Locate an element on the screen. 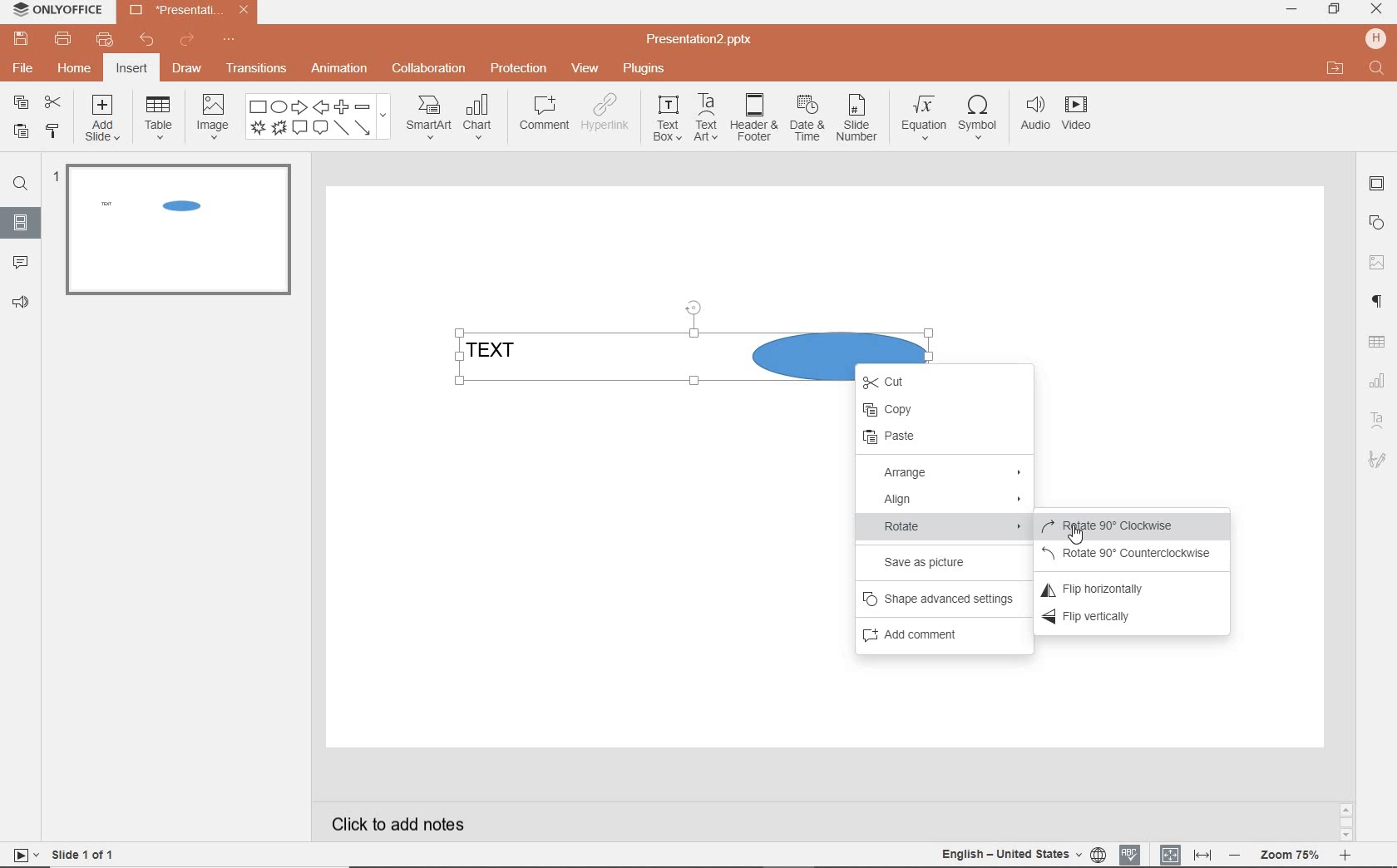 The width and height of the screenshot is (1397, 868). CLICK TO ADD NOTES is located at coordinates (402, 822).